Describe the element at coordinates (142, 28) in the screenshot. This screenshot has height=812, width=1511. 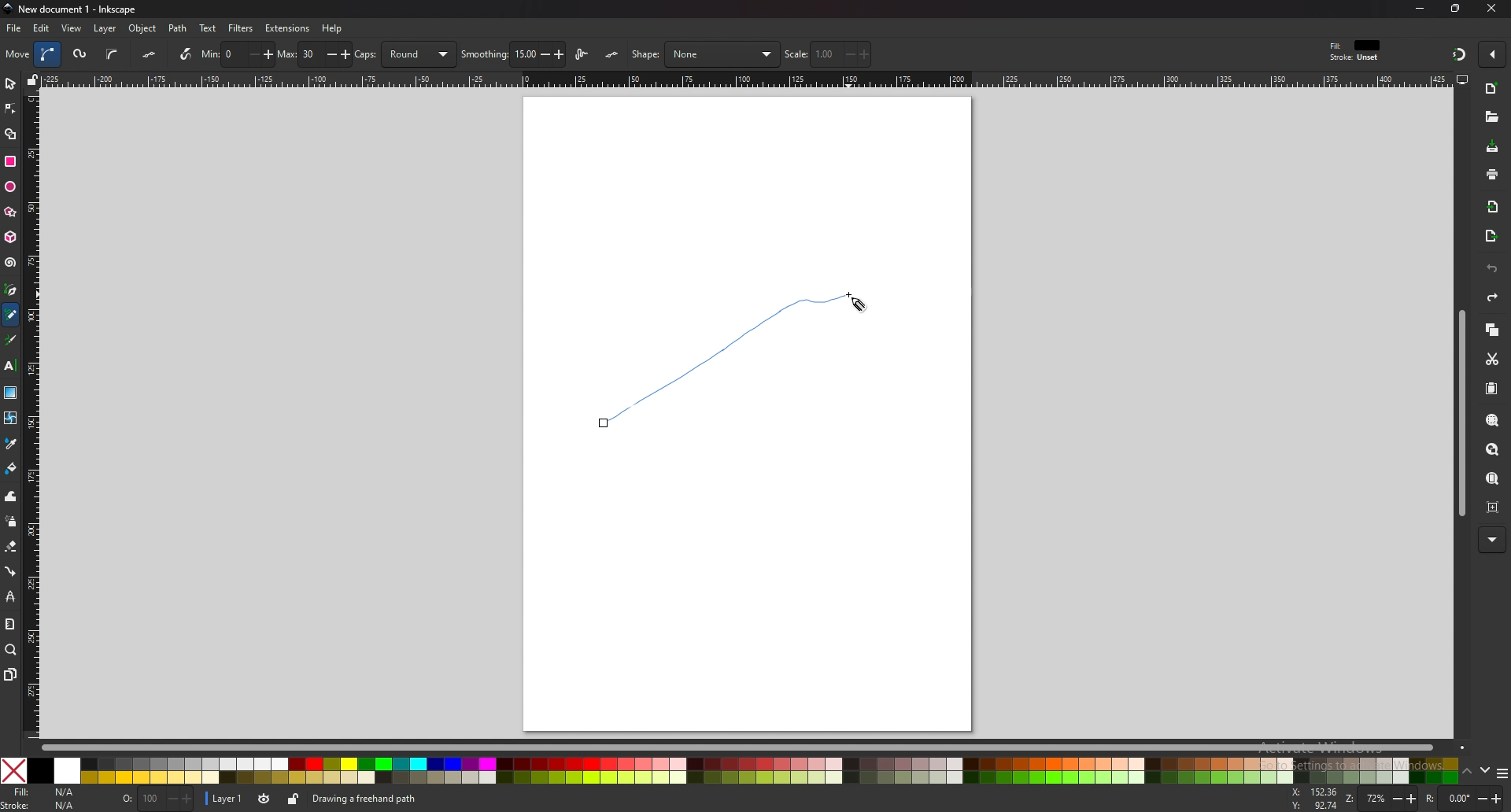
I see `object` at that location.